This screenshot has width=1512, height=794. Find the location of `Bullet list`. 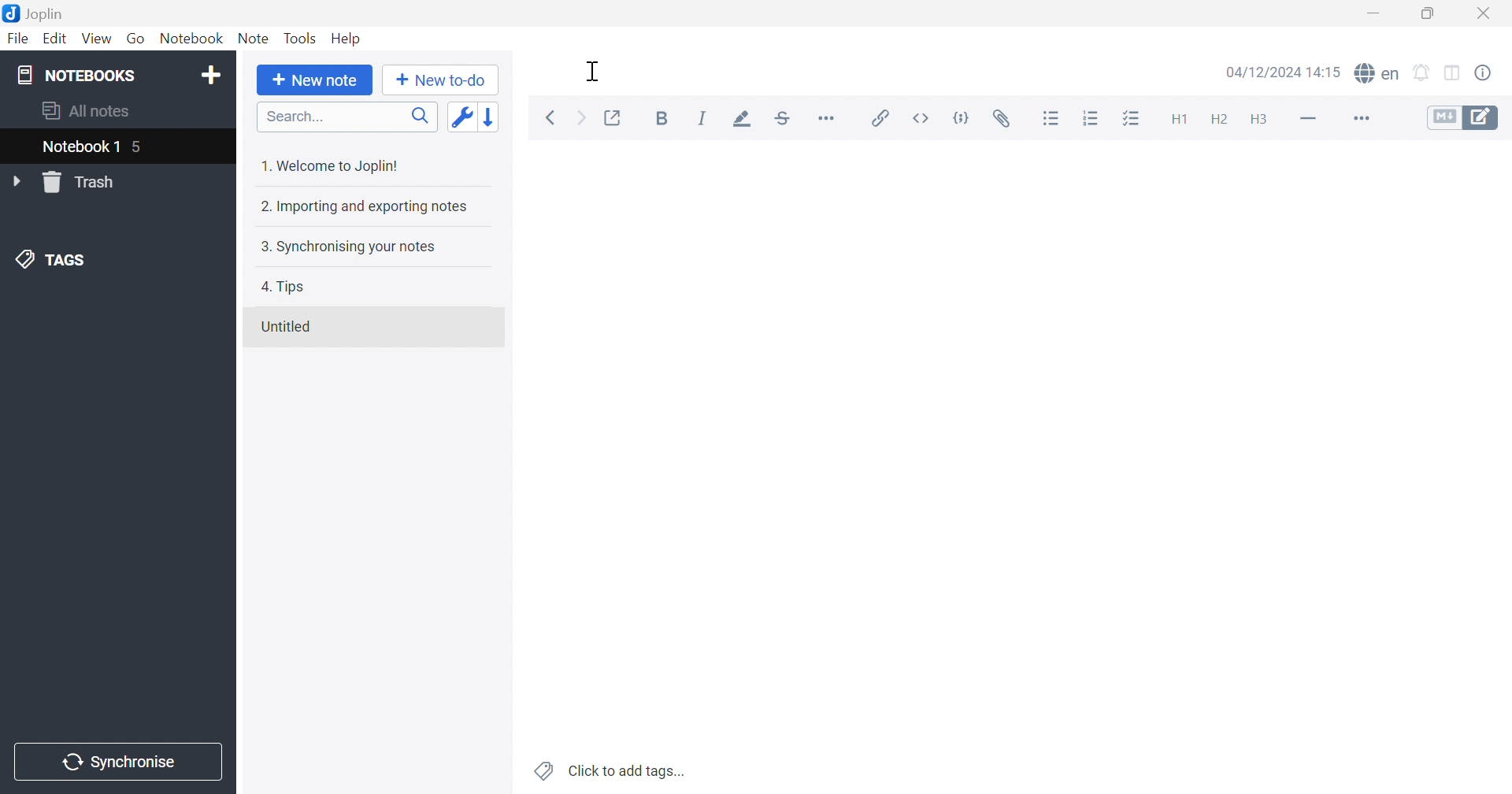

Bullet list is located at coordinates (1051, 119).